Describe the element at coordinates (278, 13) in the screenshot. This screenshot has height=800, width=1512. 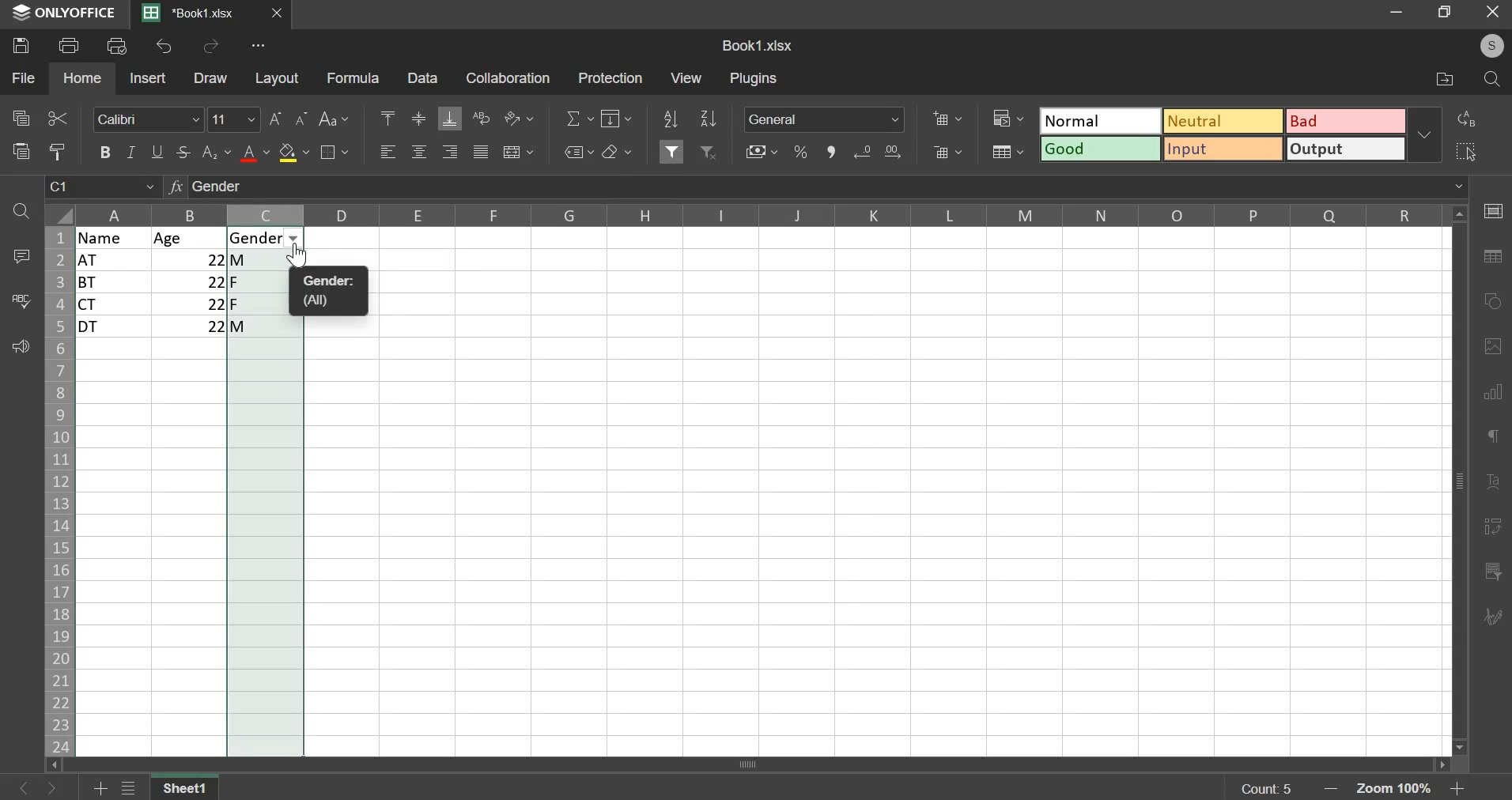
I see `closes` at that location.